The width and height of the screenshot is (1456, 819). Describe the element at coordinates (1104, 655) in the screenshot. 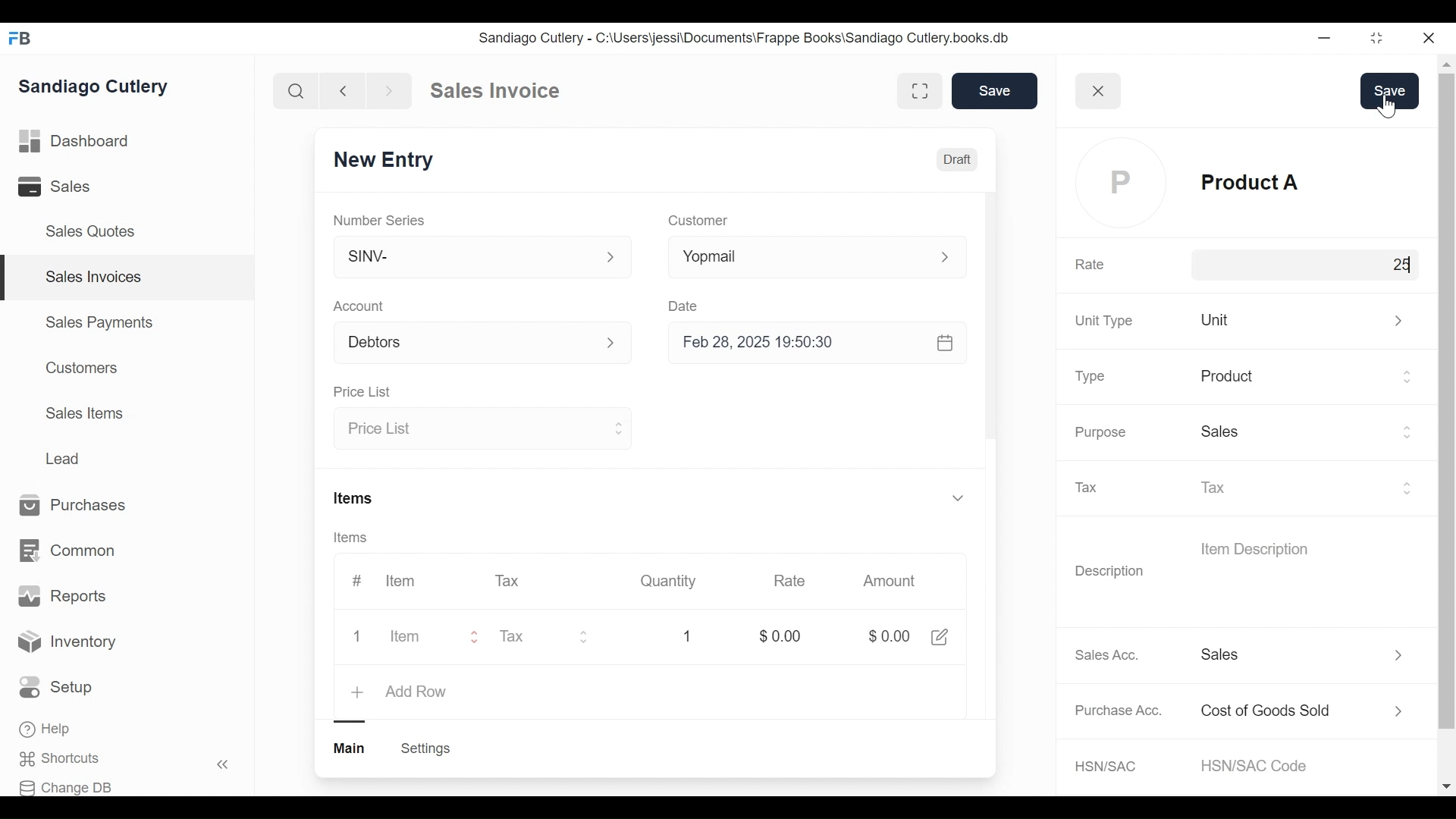

I see `Sales Acc.` at that location.